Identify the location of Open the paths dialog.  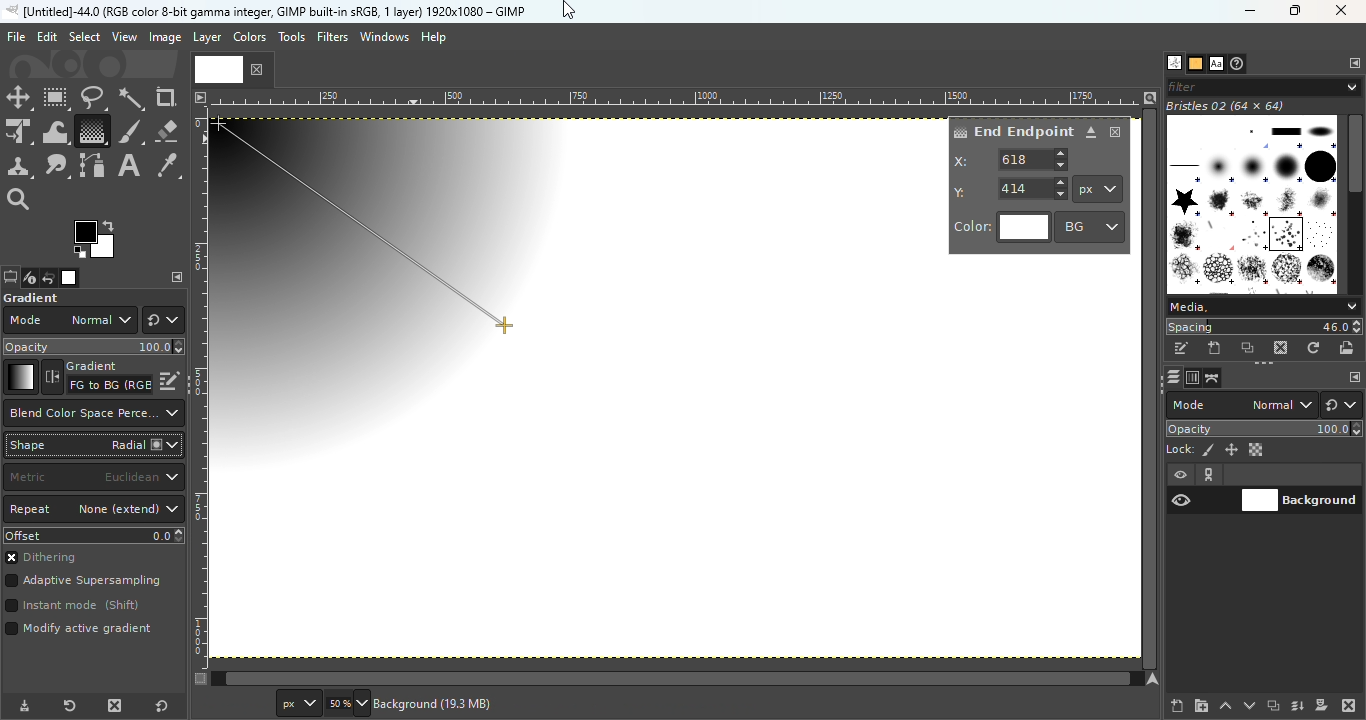
(1213, 378).